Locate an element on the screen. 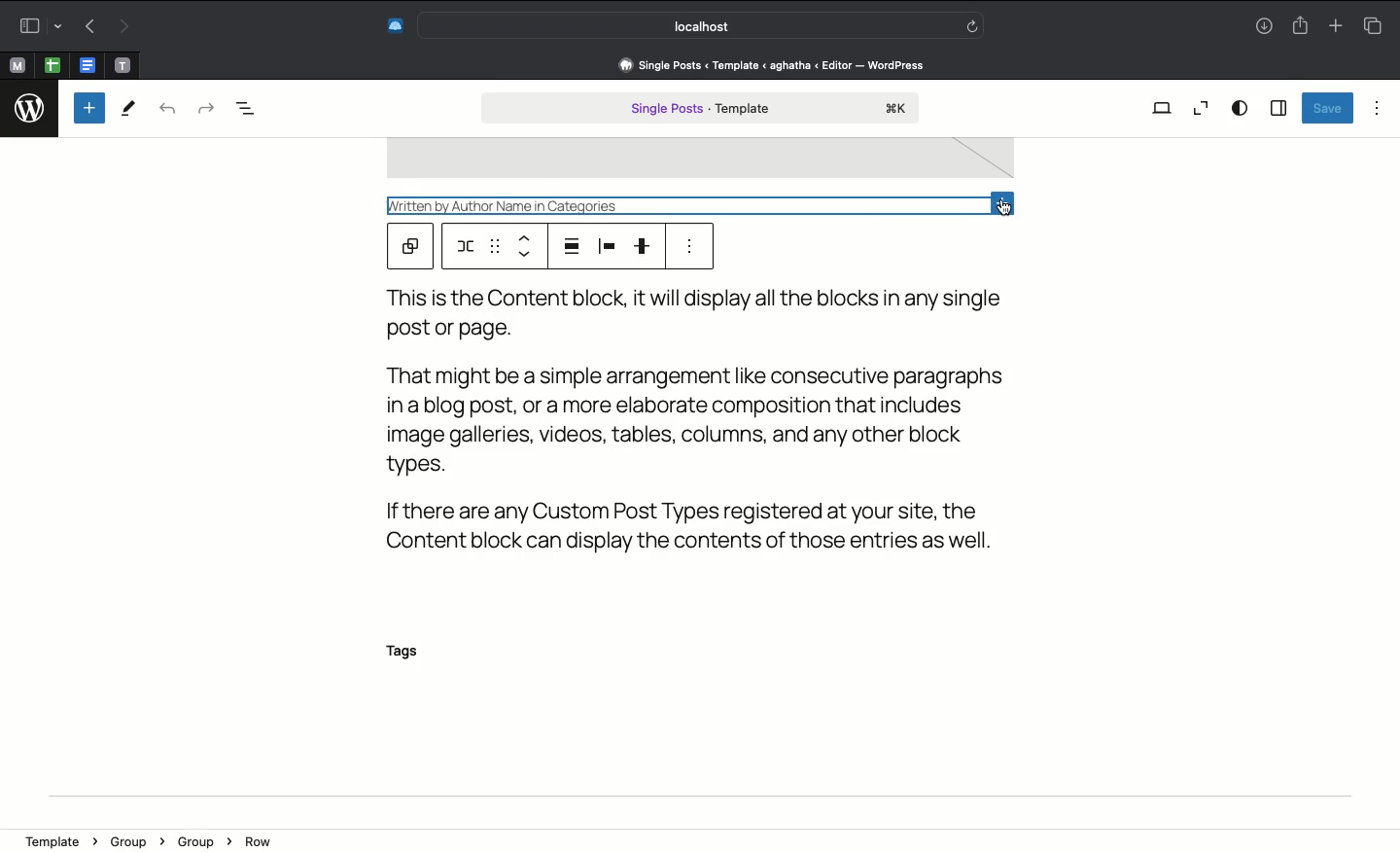  View is located at coordinates (1163, 107).